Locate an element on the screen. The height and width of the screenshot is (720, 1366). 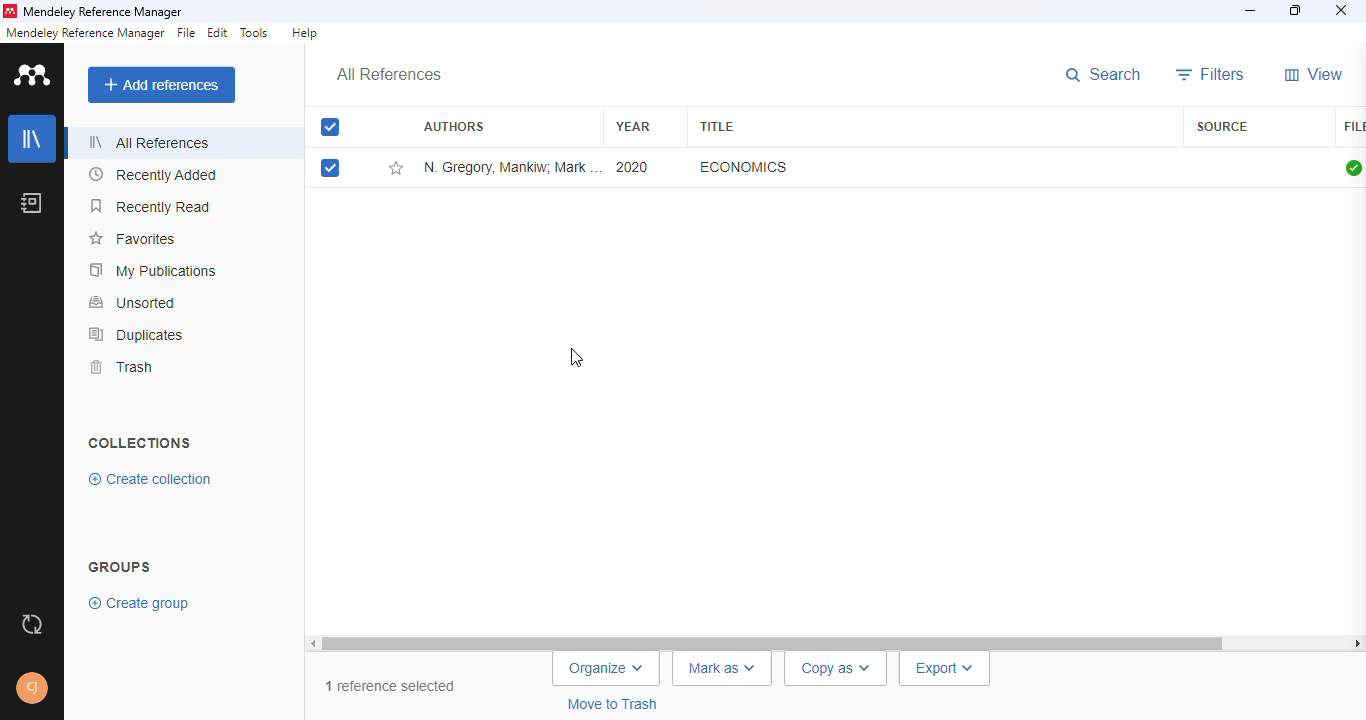
trash is located at coordinates (126, 368).